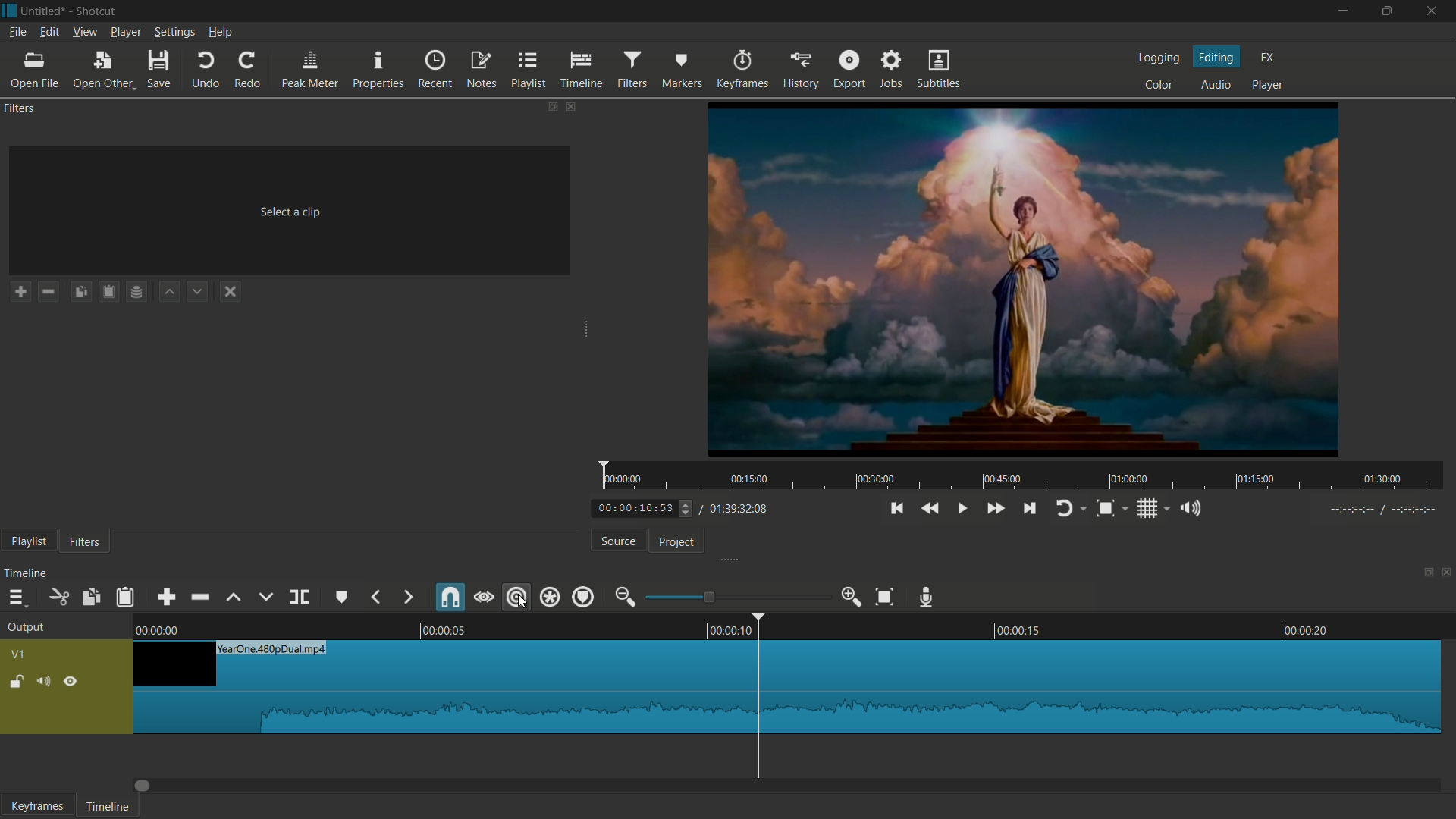  Describe the element at coordinates (44, 11) in the screenshot. I see `project name` at that location.